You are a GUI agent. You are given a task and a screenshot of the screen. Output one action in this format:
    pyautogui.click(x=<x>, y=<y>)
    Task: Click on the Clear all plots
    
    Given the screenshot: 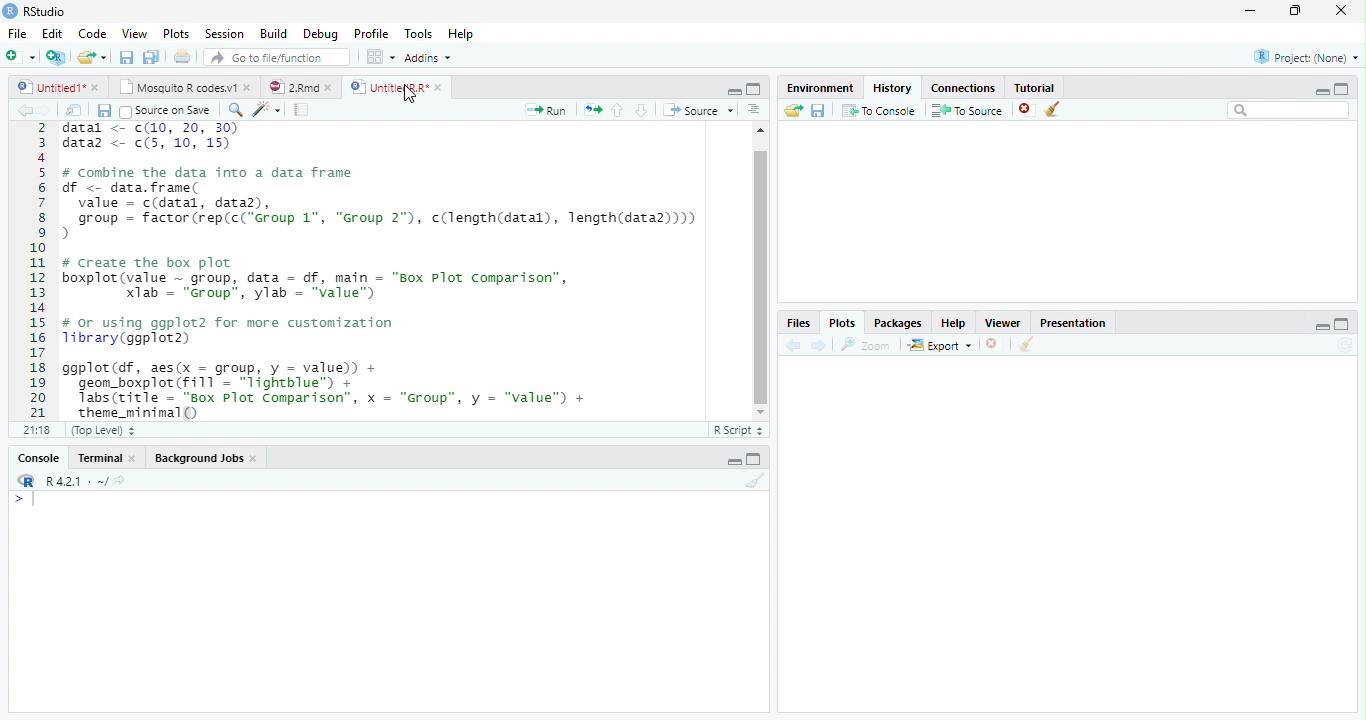 What is the action you would take?
    pyautogui.click(x=1027, y=344)
    